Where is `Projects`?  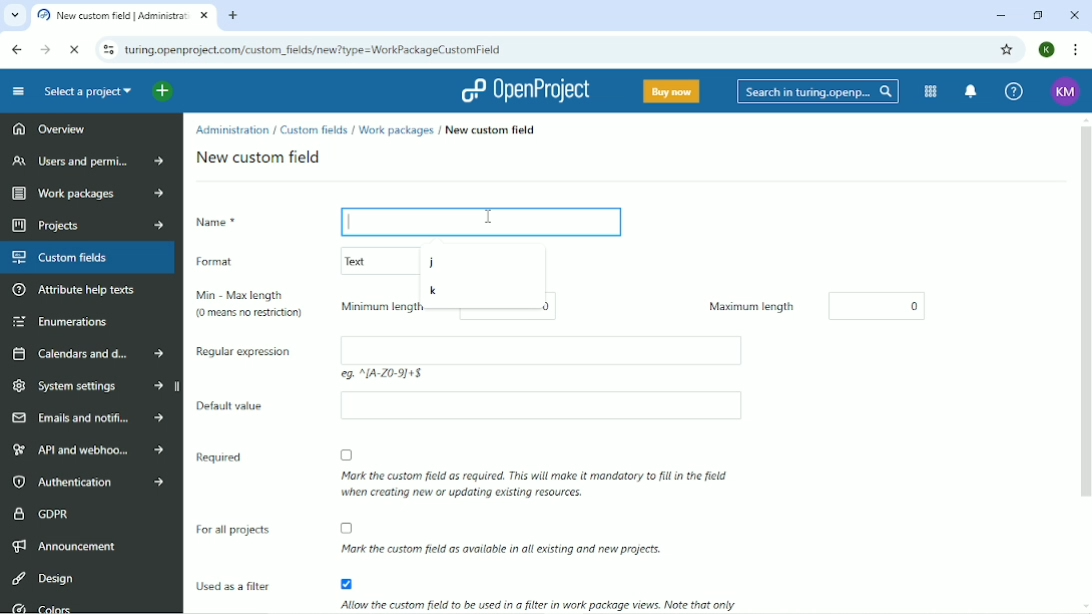 Projects is located at coordinates (85, 225).